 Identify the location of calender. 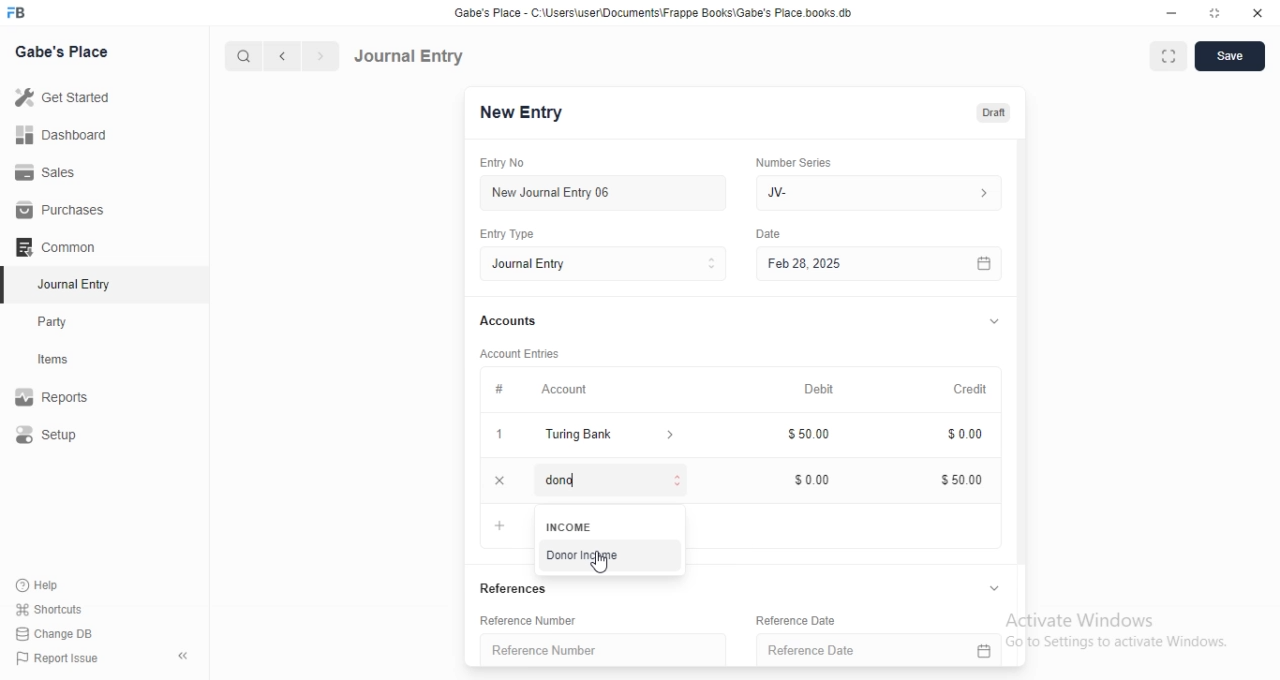
(983, 651).